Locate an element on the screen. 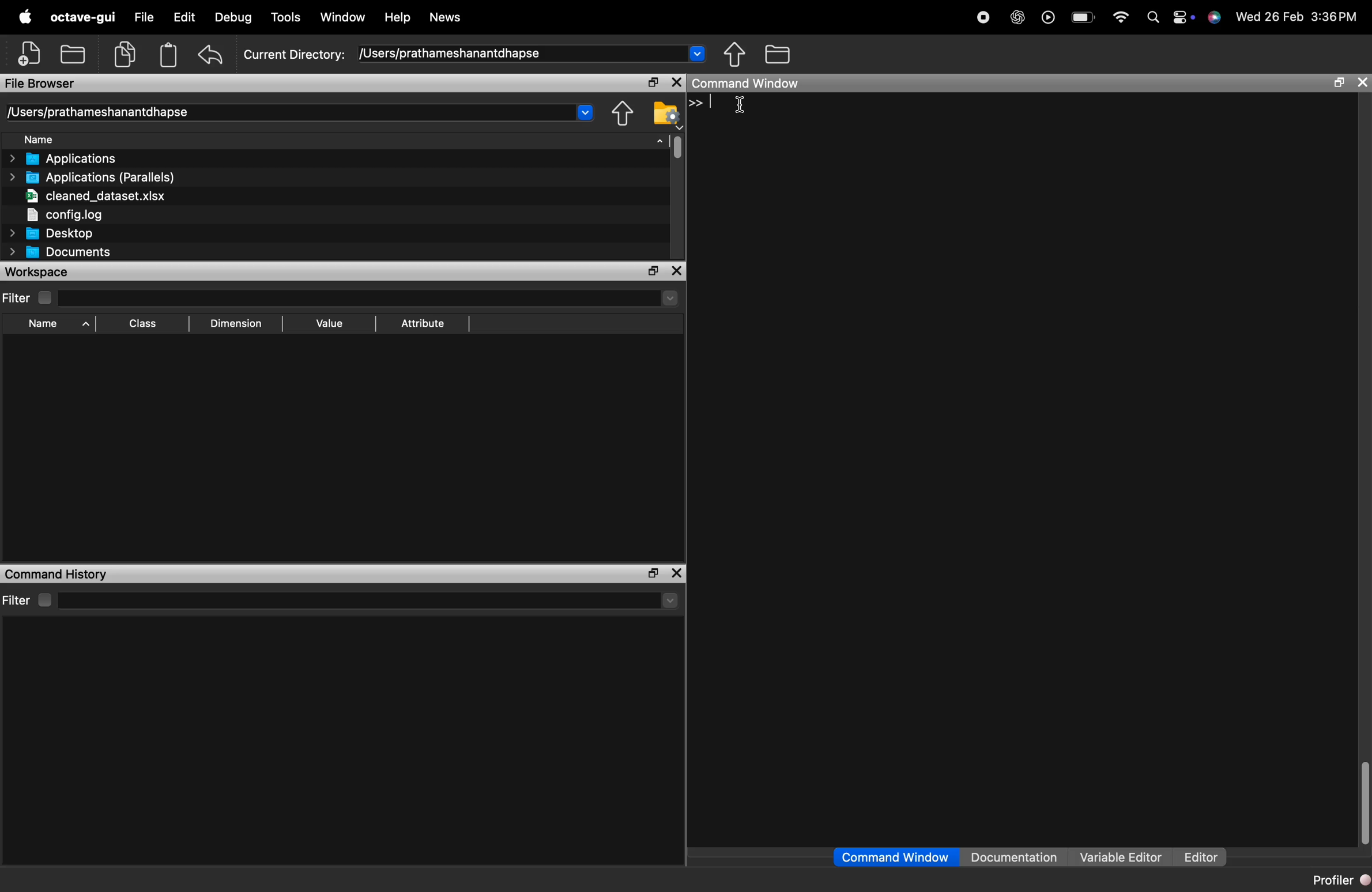 This screenshot has height=892, width=1372. Filter is located at coordinates (28, 599).